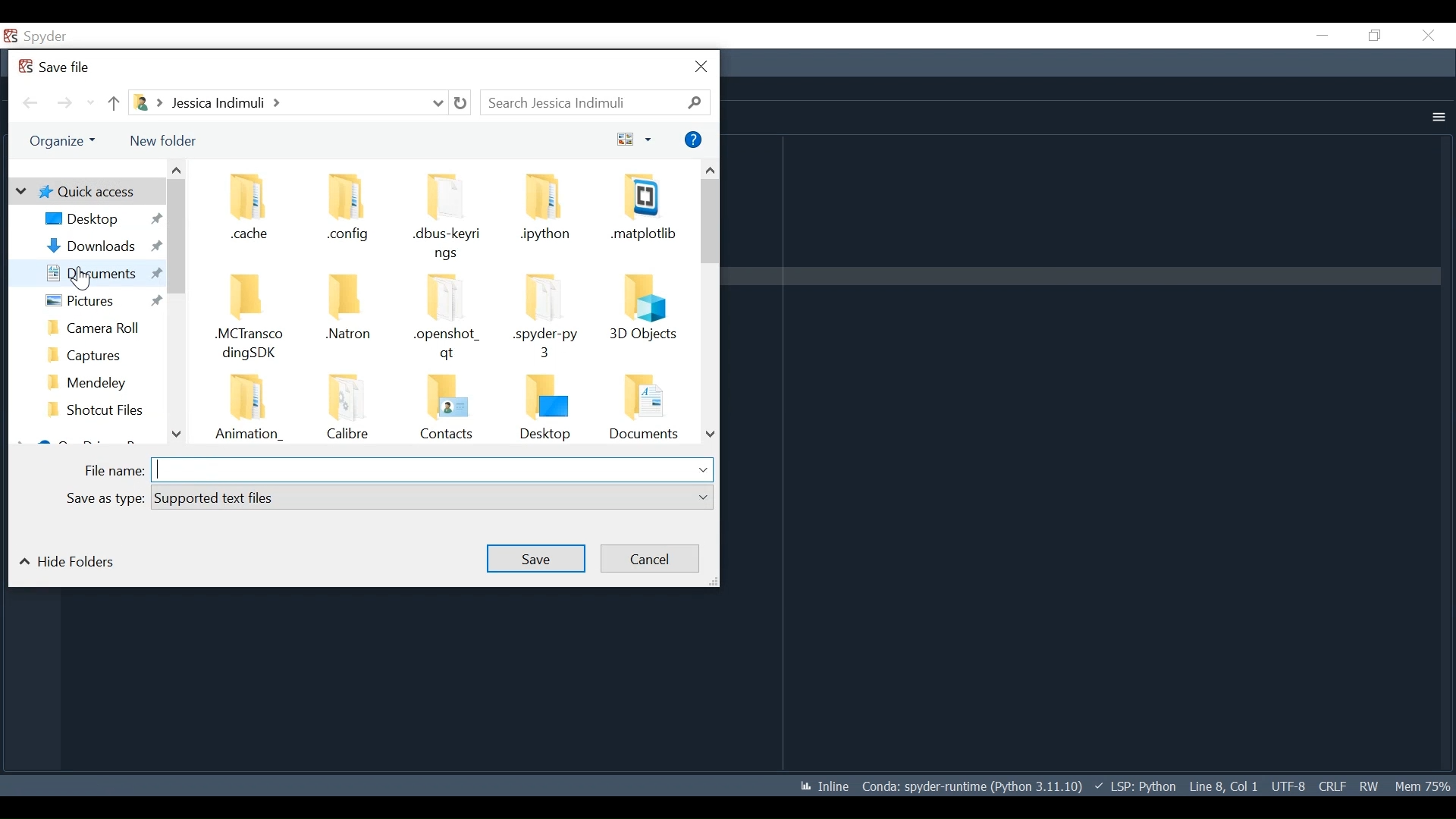 This screenshot has width=1456, height=819. What do you see at coordinates (177, 170) in the screenshot?
I see `Scroll up` at bounding box center [177, 170].